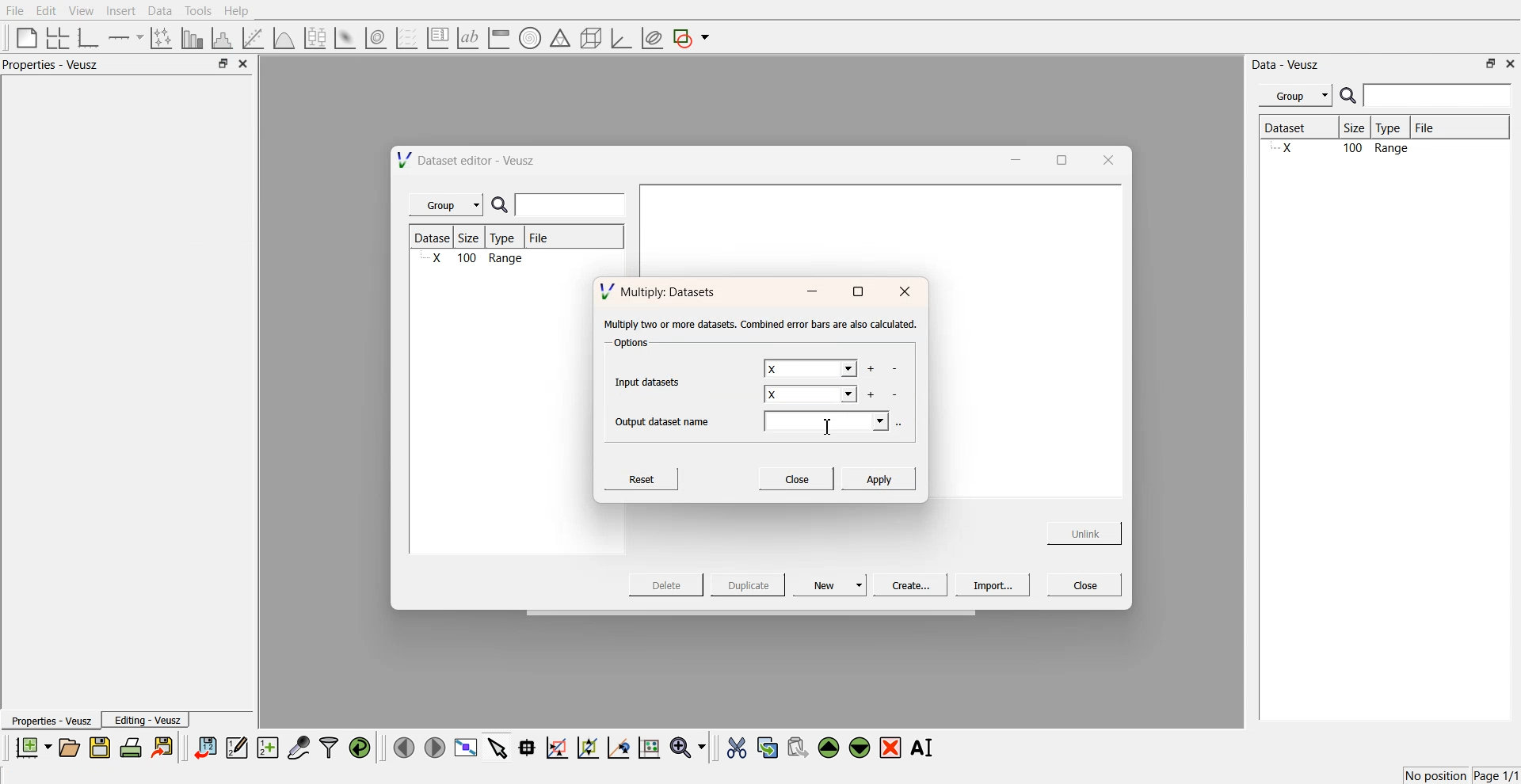 This screenshot has width=1521, height=784. What do you see at coordinates (344, 37) in the screenshot?
I see `plot a 2d datasets as image` at bounding box center [344, 37].